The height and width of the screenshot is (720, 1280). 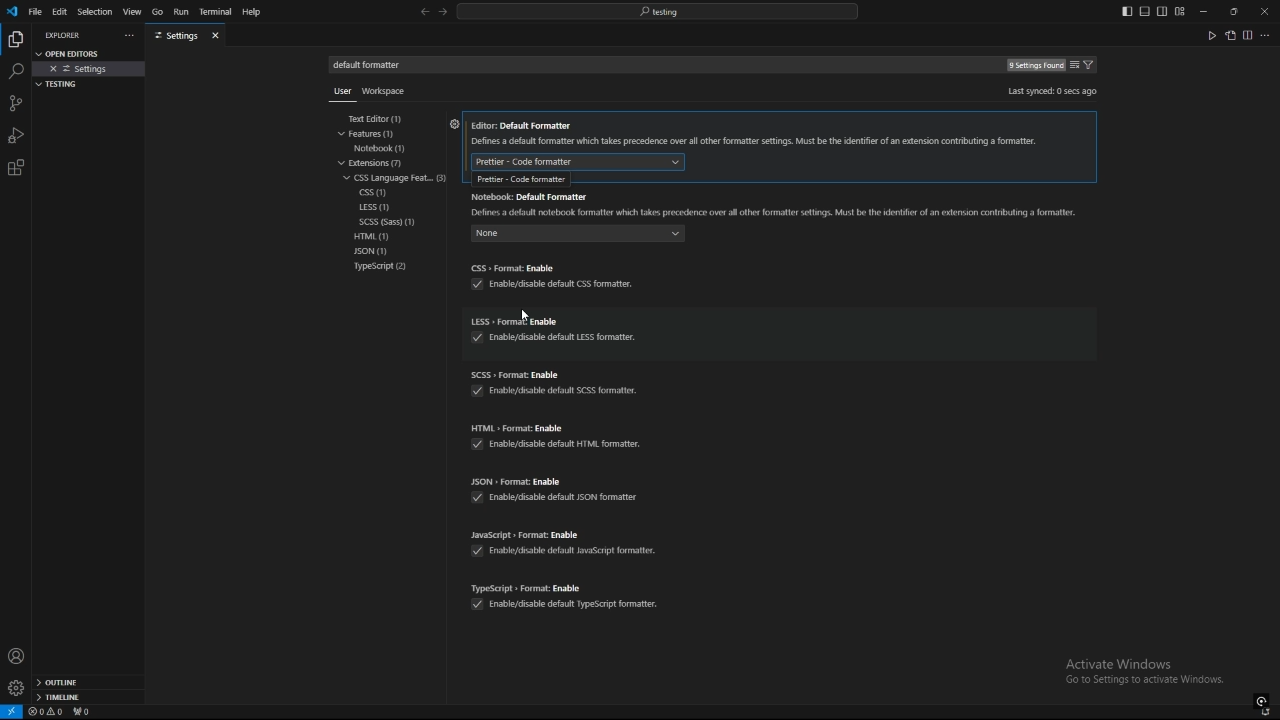 I want to click on explore, so click(x=15, y=38).